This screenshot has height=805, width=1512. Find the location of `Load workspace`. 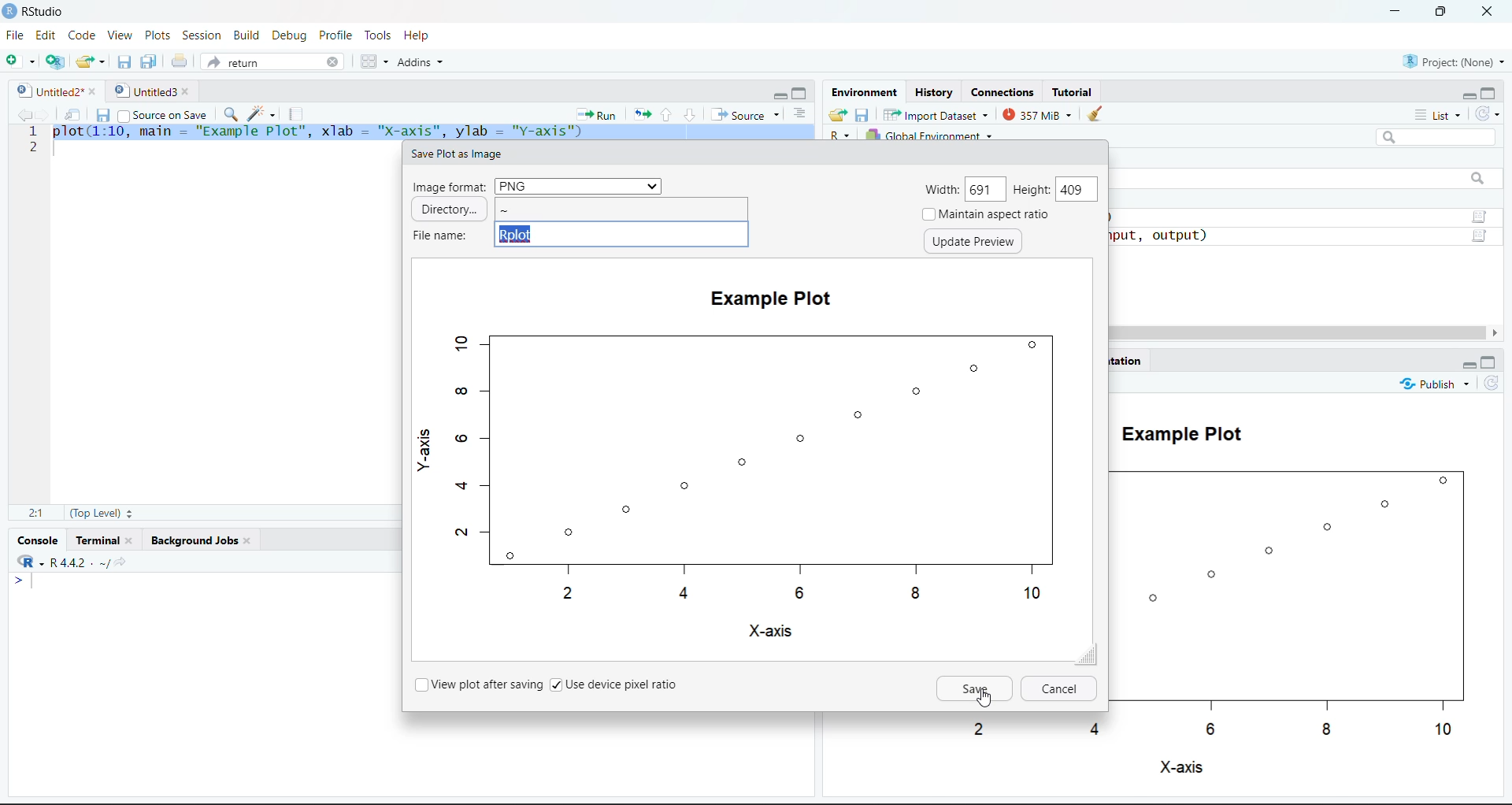

Load workspace is located at coordinates (838, 114).